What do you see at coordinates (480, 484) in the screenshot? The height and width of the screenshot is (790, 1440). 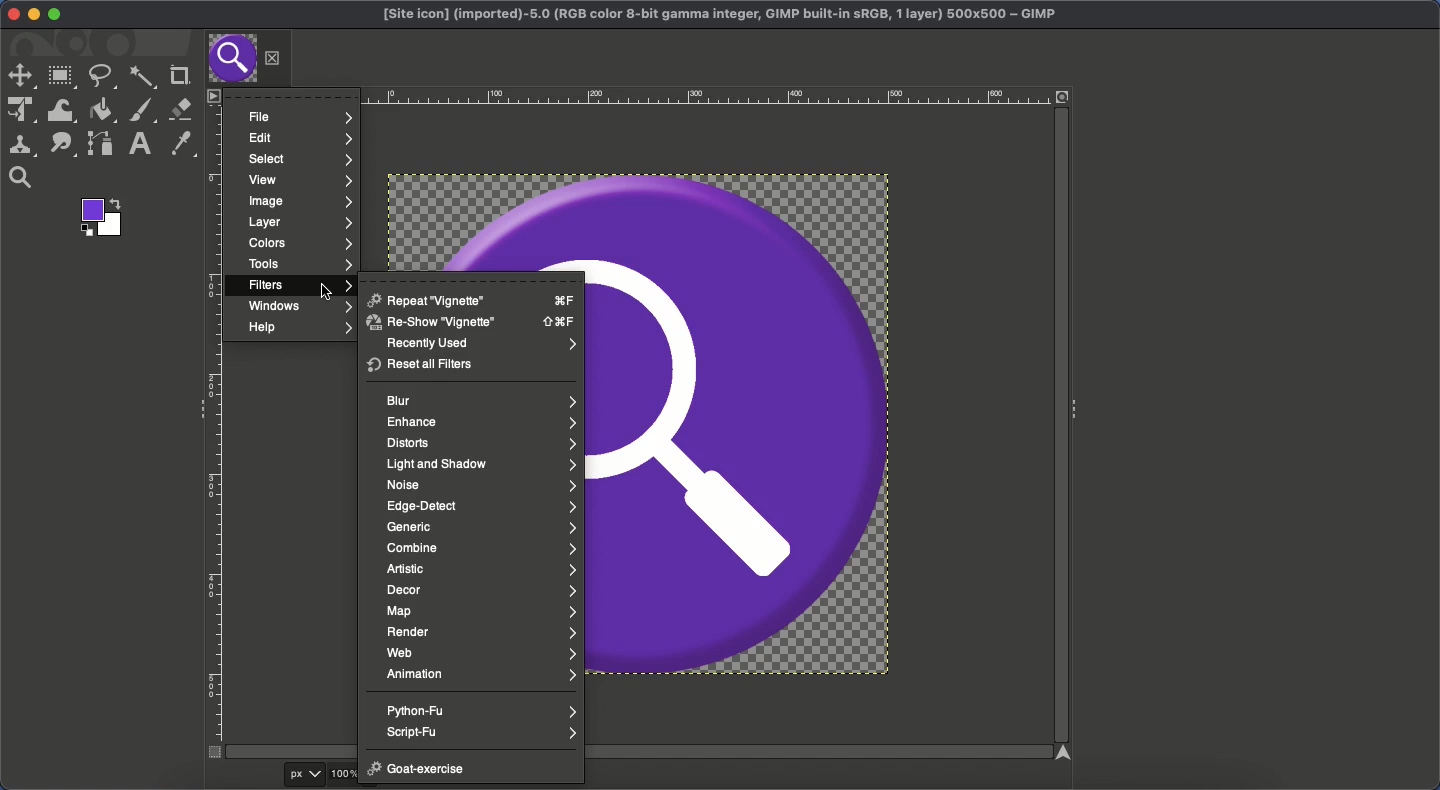 I see `Noise` at bounding box center [480, 484].